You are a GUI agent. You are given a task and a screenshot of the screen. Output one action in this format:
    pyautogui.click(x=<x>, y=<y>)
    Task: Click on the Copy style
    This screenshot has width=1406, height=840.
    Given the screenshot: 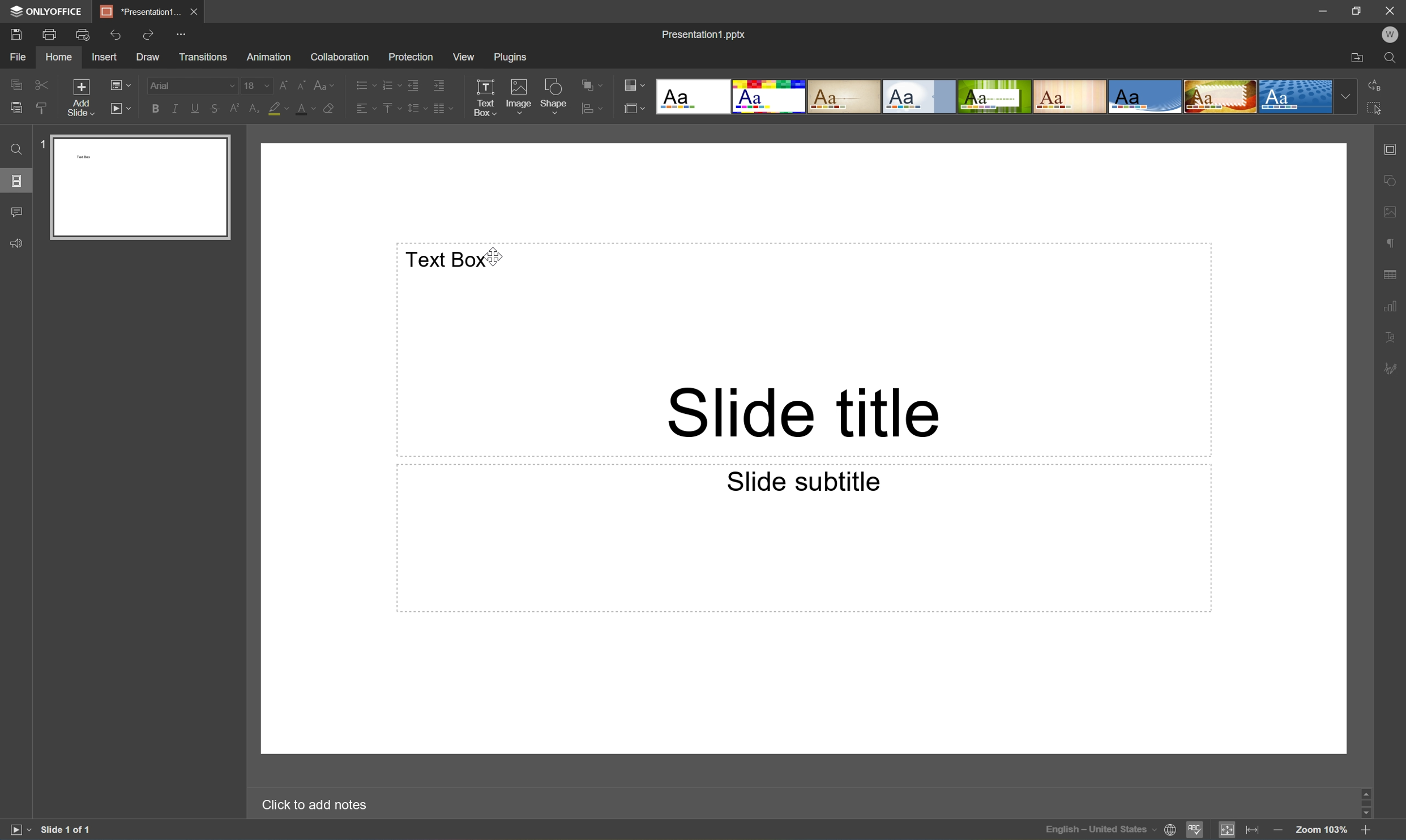 What is the action you would take?
    pyautogui.click(x=42, y=109)
    